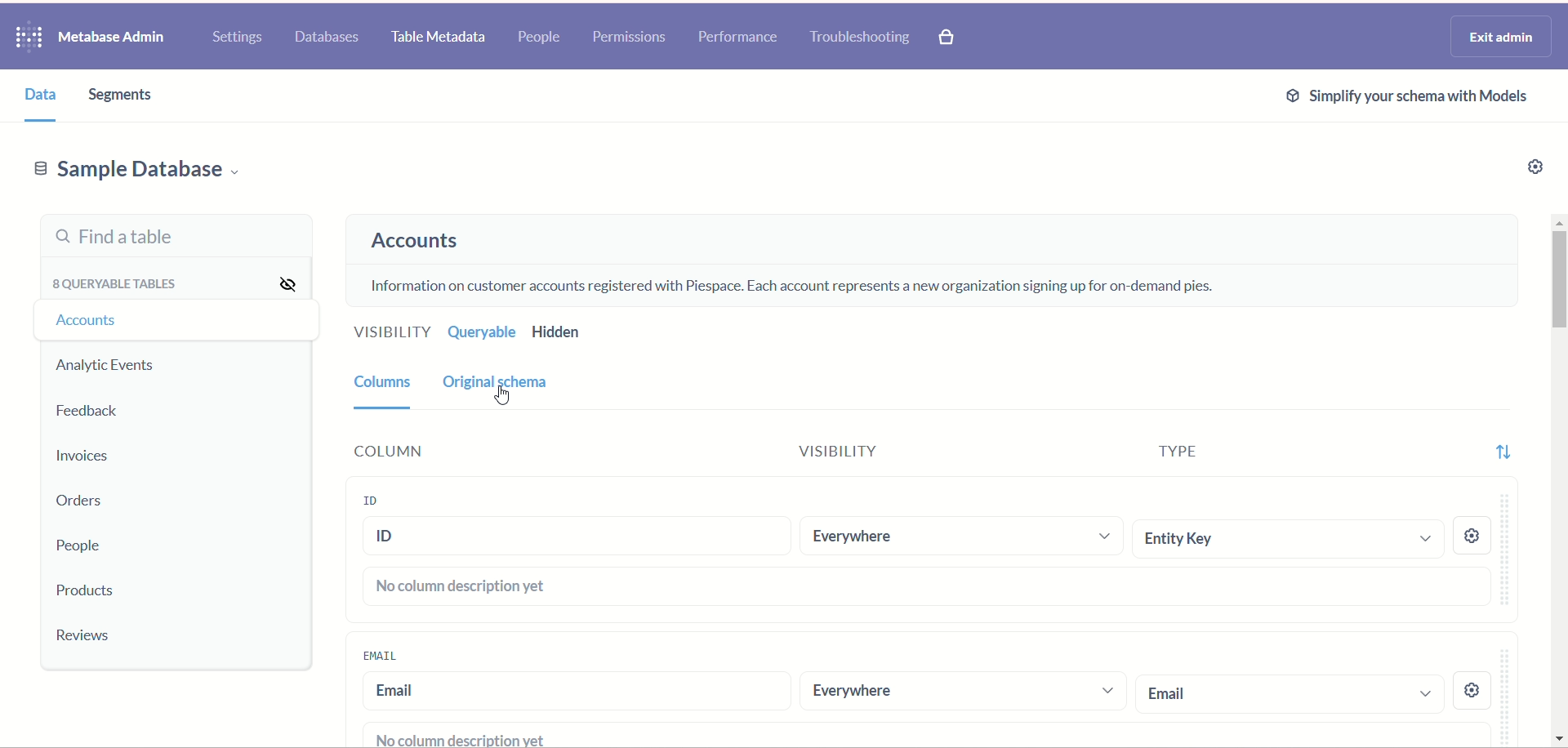  Describe the element at coordinates (1473, 689) in the screenshot. I see `settings` at that location.